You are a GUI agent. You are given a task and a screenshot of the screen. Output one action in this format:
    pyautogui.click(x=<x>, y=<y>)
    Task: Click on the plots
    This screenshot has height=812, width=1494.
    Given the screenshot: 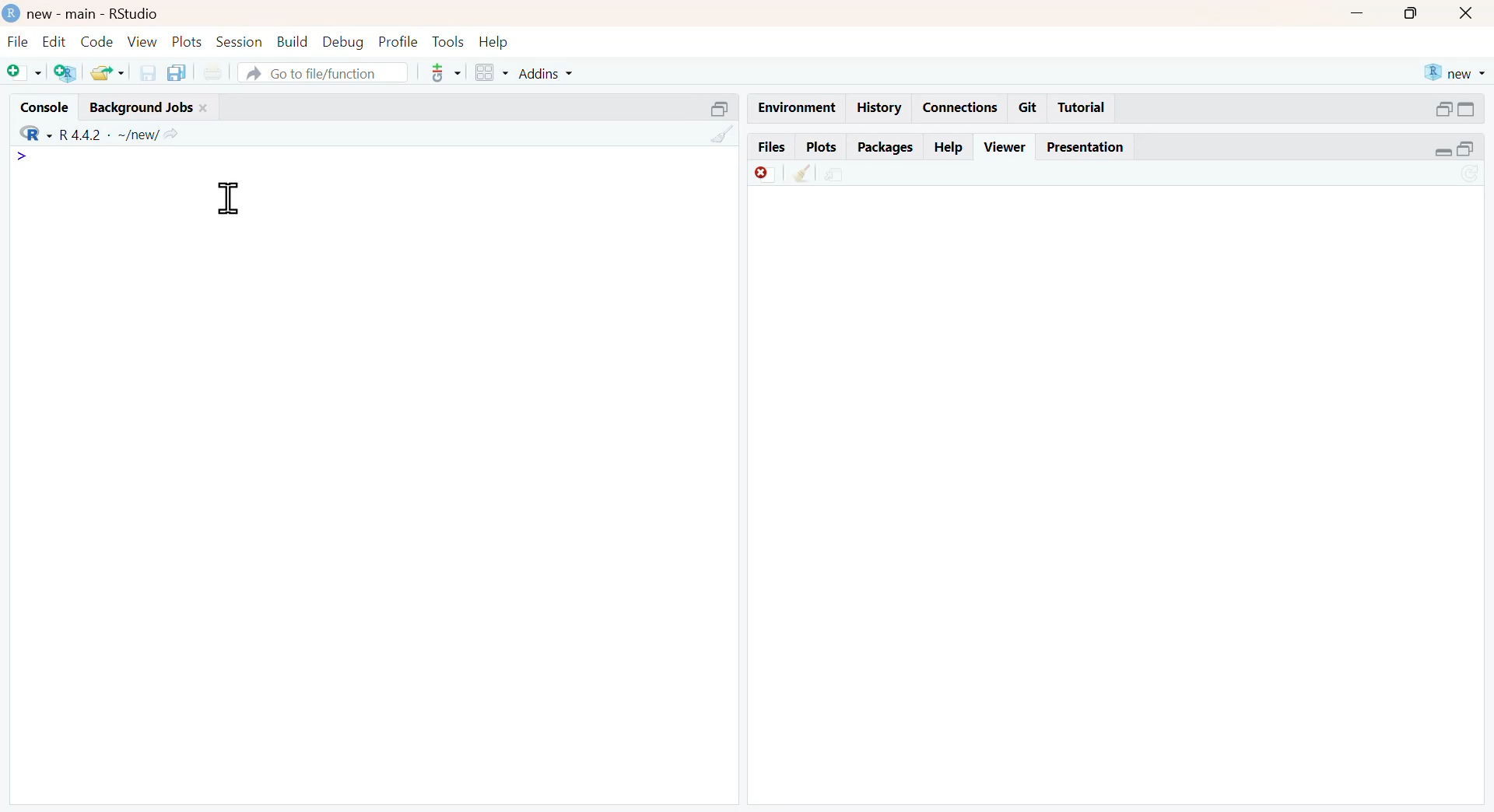 What is the action you would take?
    pyautogui.click(x=821, y=147)
    